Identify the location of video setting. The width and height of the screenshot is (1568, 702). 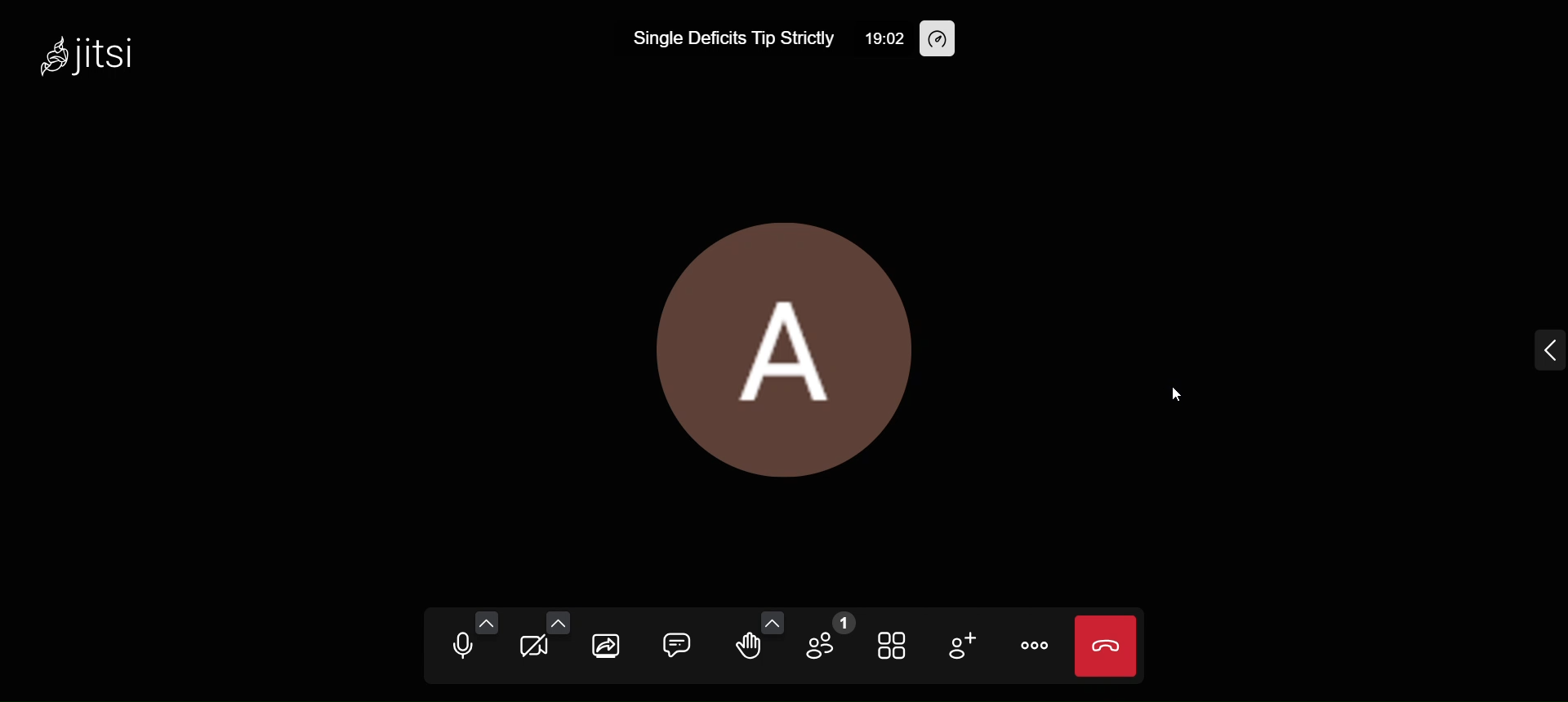
(557, 620).